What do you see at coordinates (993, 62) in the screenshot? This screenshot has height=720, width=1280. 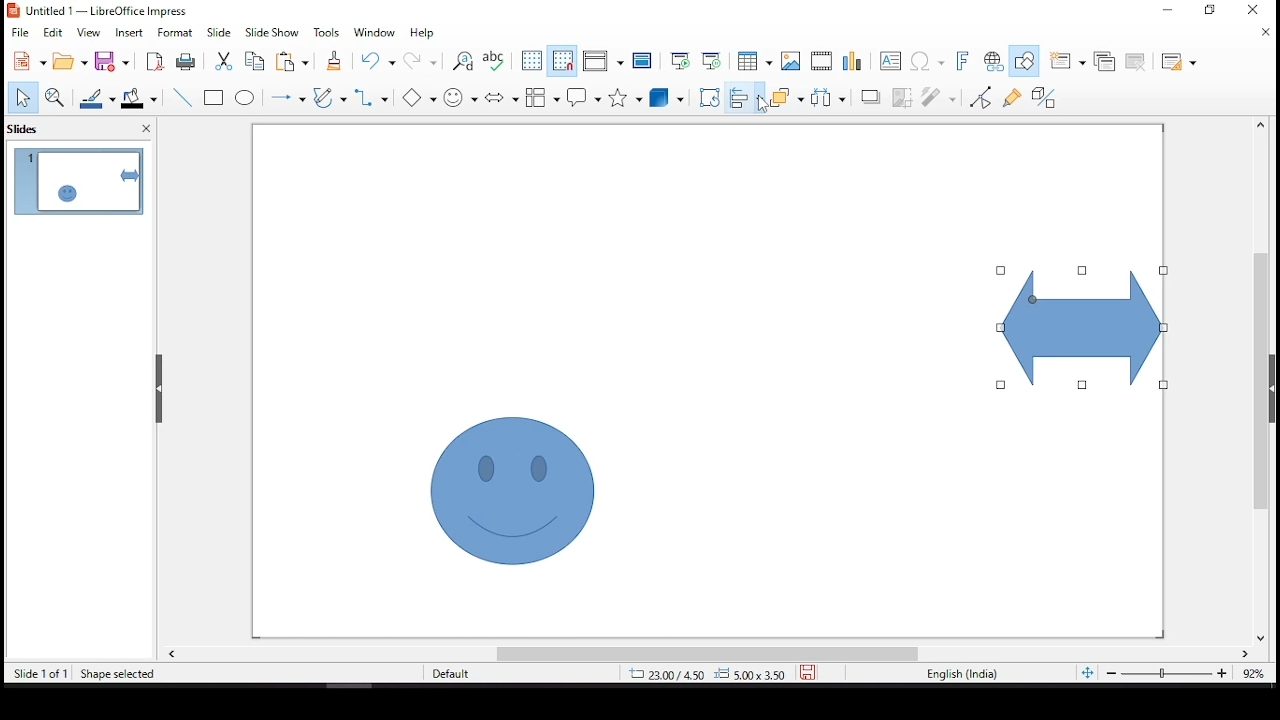 I see `insert hyperlink` at bounding box center [993, 62].